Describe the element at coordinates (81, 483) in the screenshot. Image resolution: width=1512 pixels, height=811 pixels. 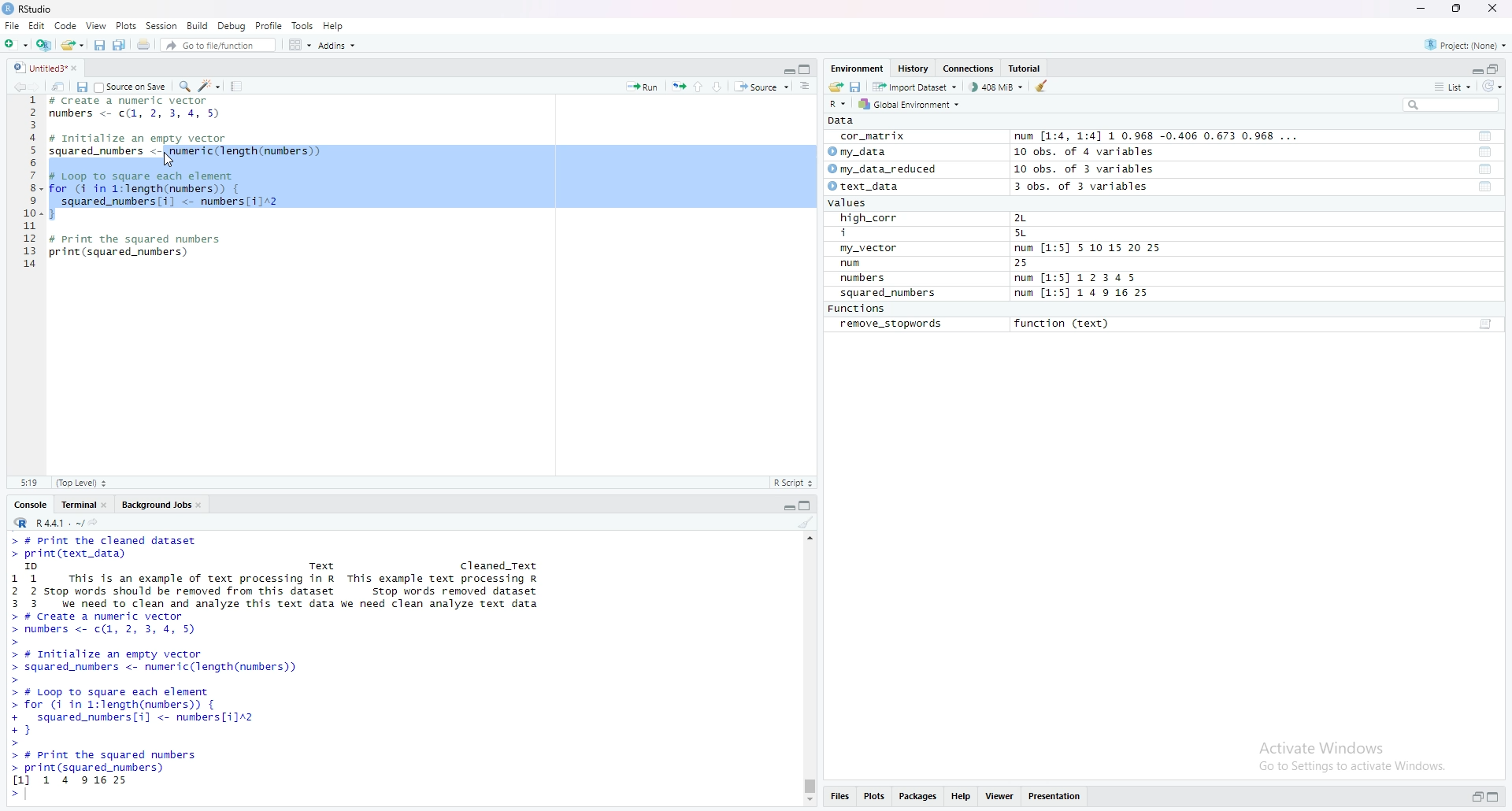
I see `(Top Level)` at that location.